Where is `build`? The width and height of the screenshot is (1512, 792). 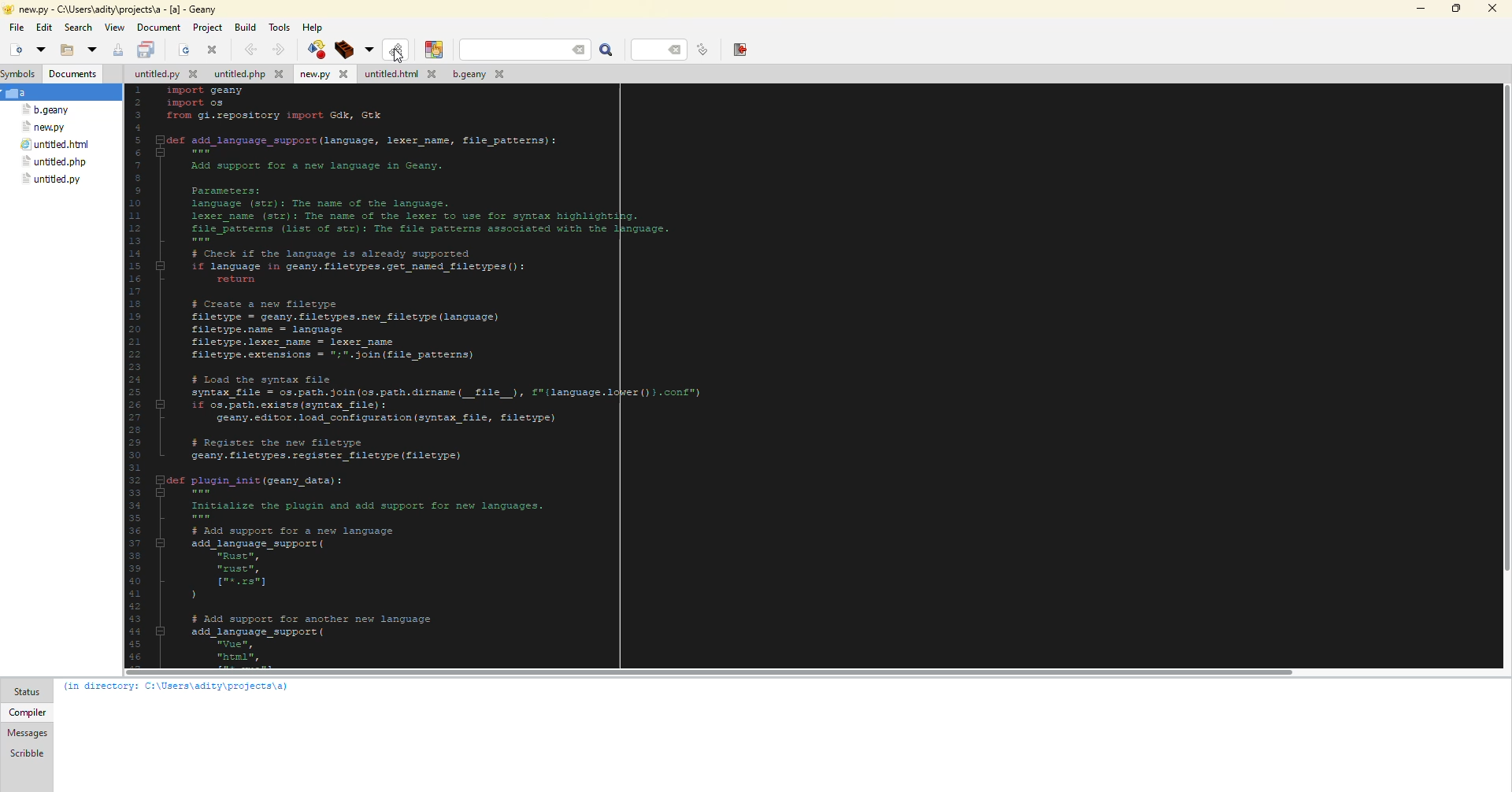 build is located at coordinates (344, 49).